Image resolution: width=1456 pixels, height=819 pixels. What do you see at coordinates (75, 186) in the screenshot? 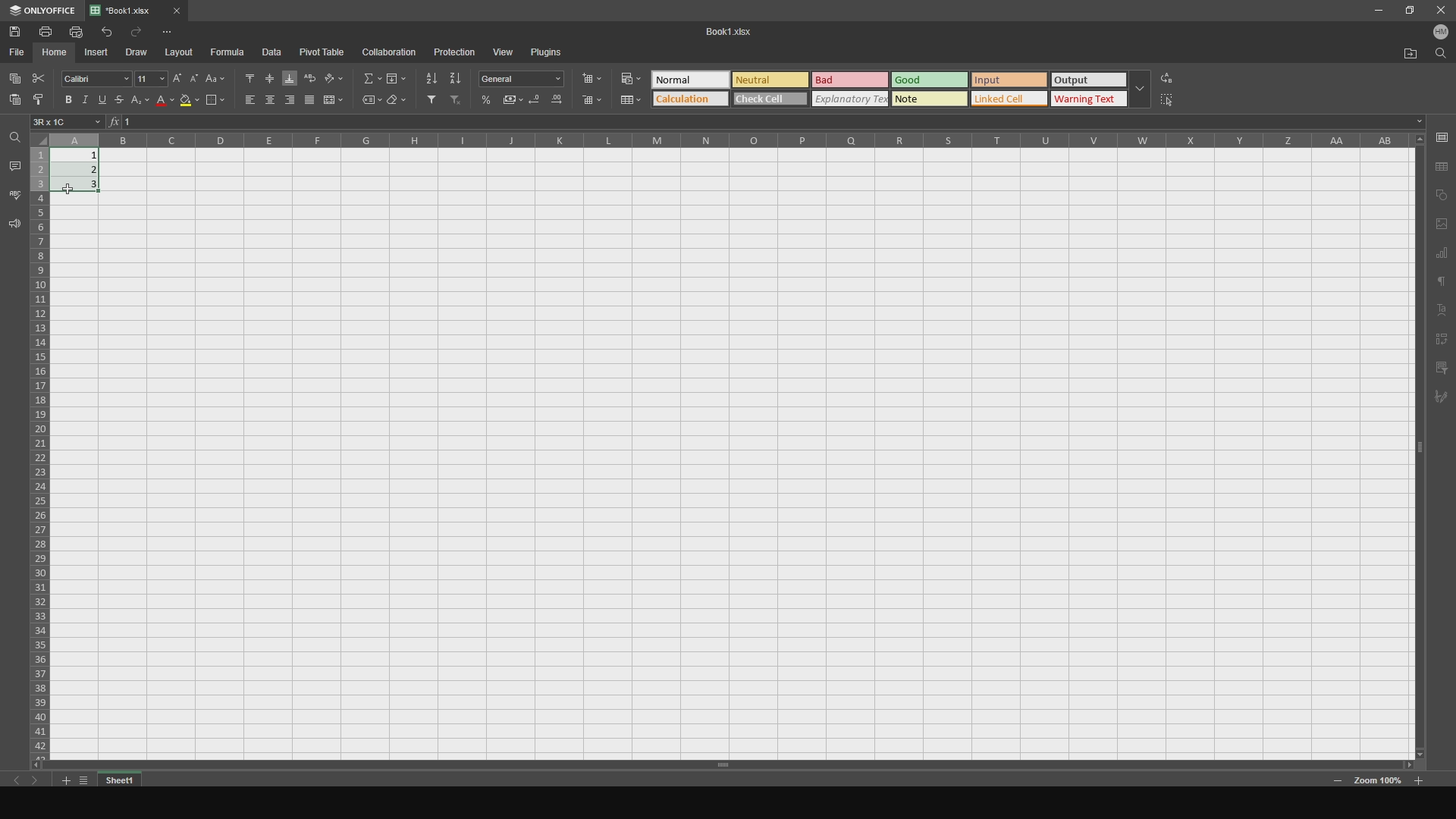
I see `cursor` at bounding box center [75, 186].